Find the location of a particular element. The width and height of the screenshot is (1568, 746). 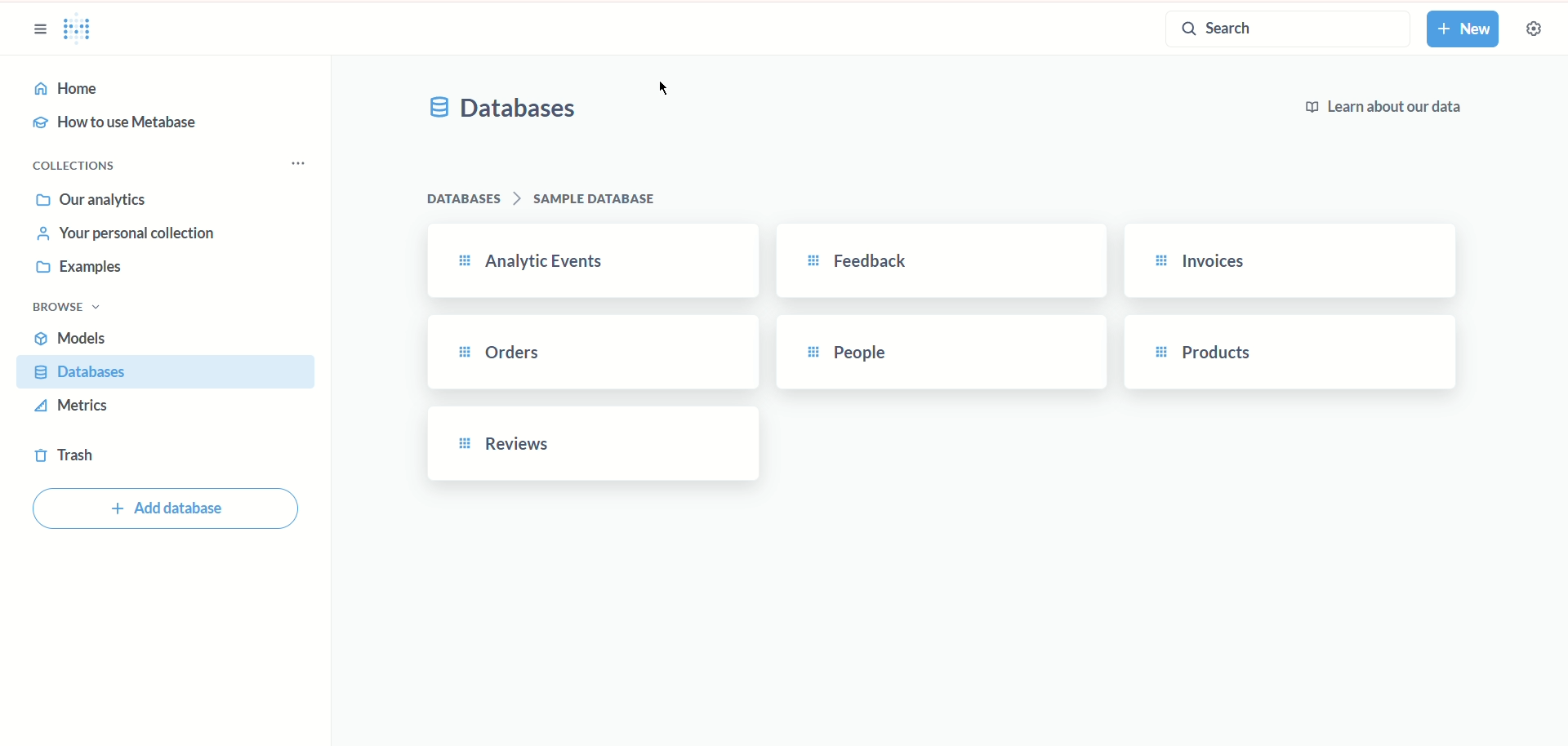

location is located at coordinates (547, 199).